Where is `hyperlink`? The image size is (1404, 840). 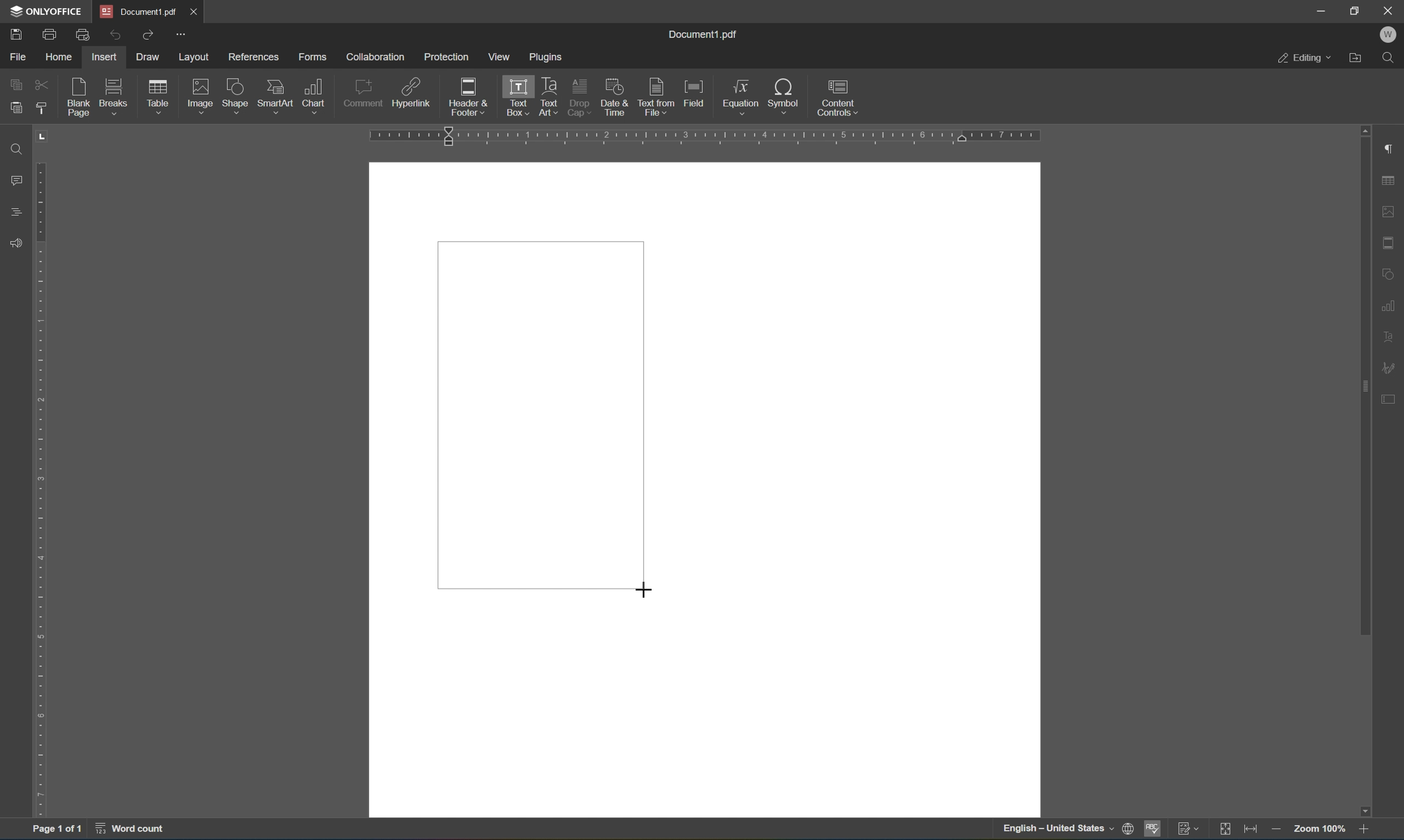 hyperlink is located at coordinates (412, 95).